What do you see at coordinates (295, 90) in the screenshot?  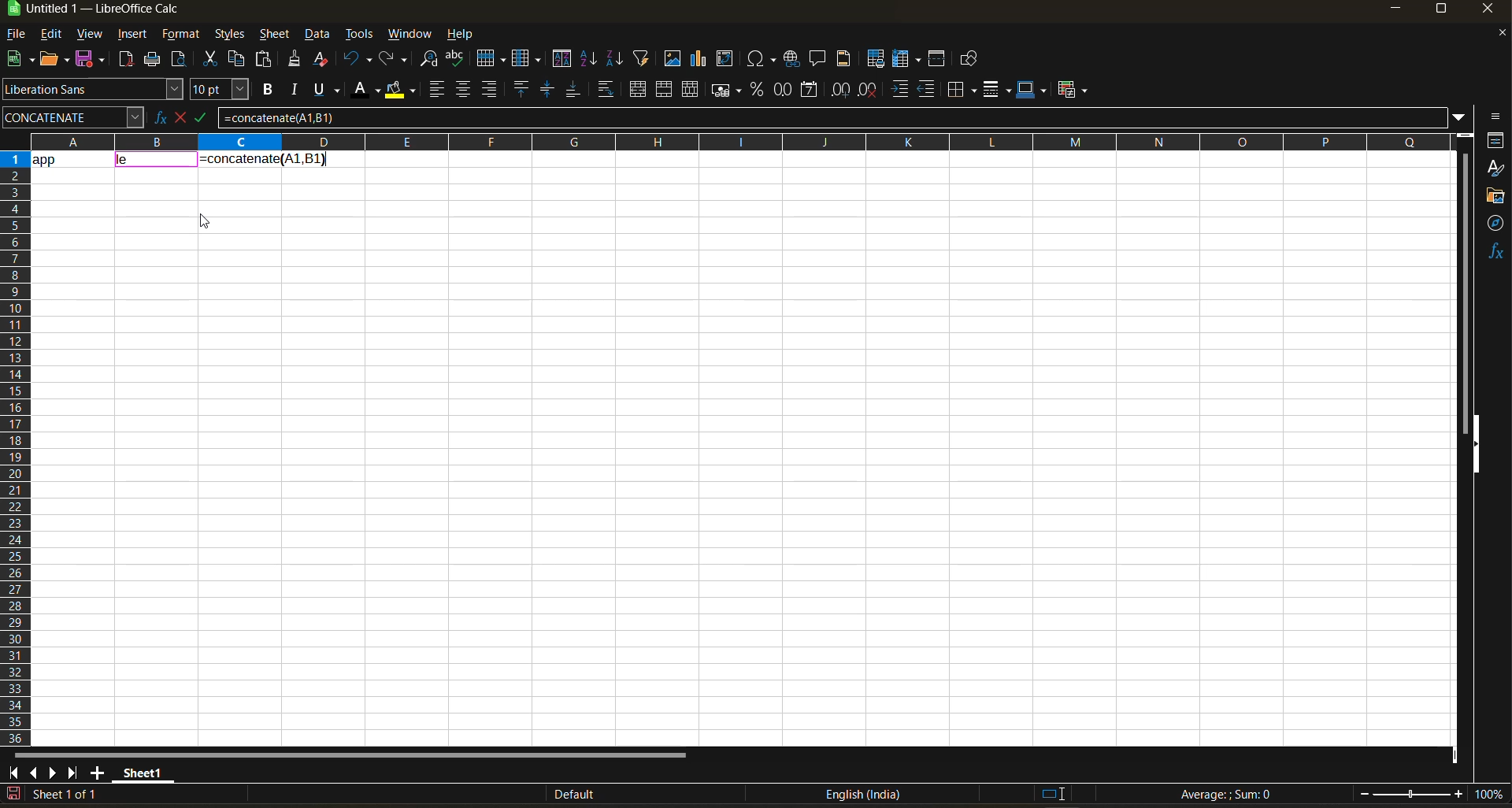 I see `italic` at bounding box center [295, 90].